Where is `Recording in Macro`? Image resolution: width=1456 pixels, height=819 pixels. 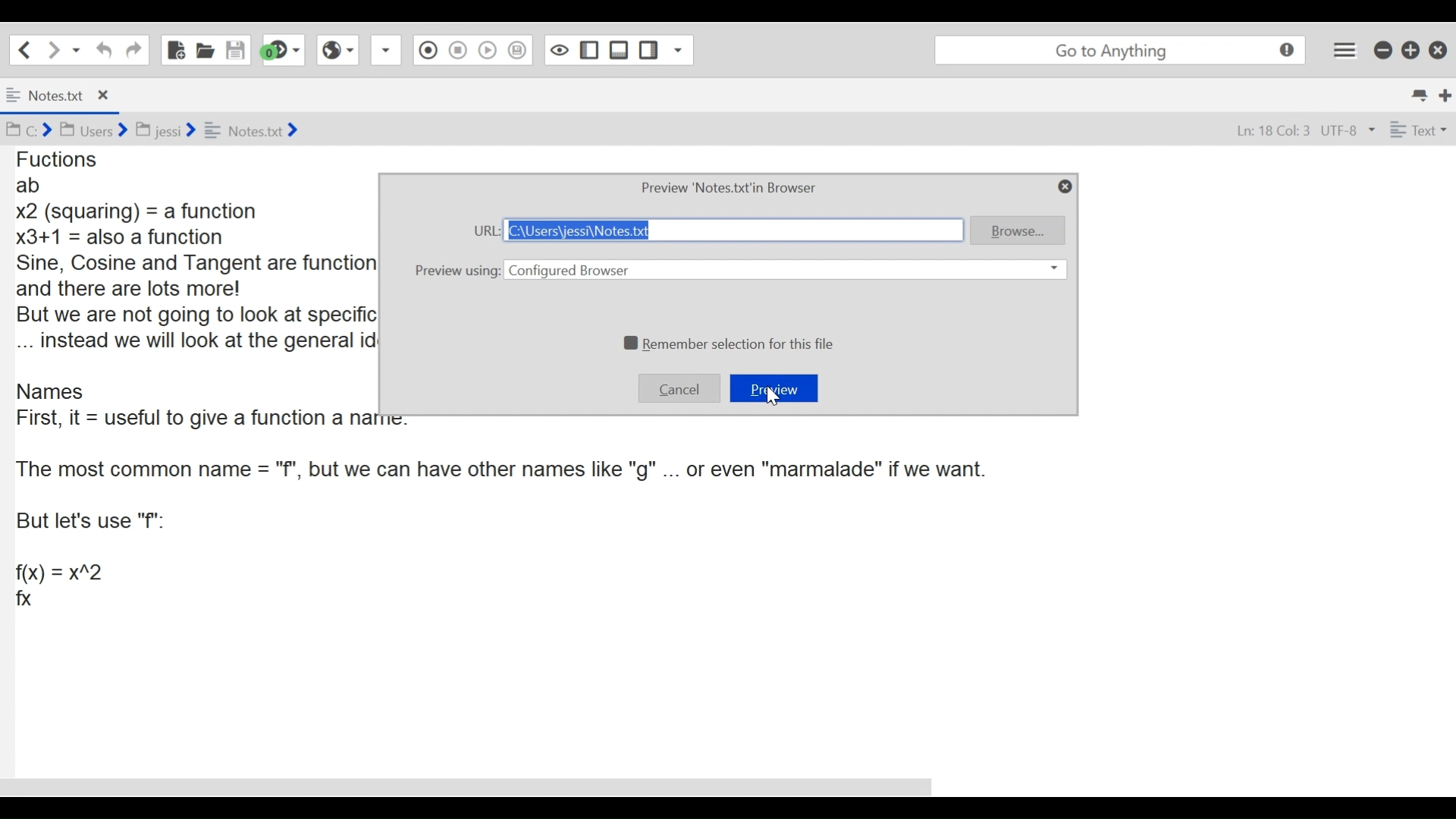
Recording in Macro is located at coordinates (428, 49).